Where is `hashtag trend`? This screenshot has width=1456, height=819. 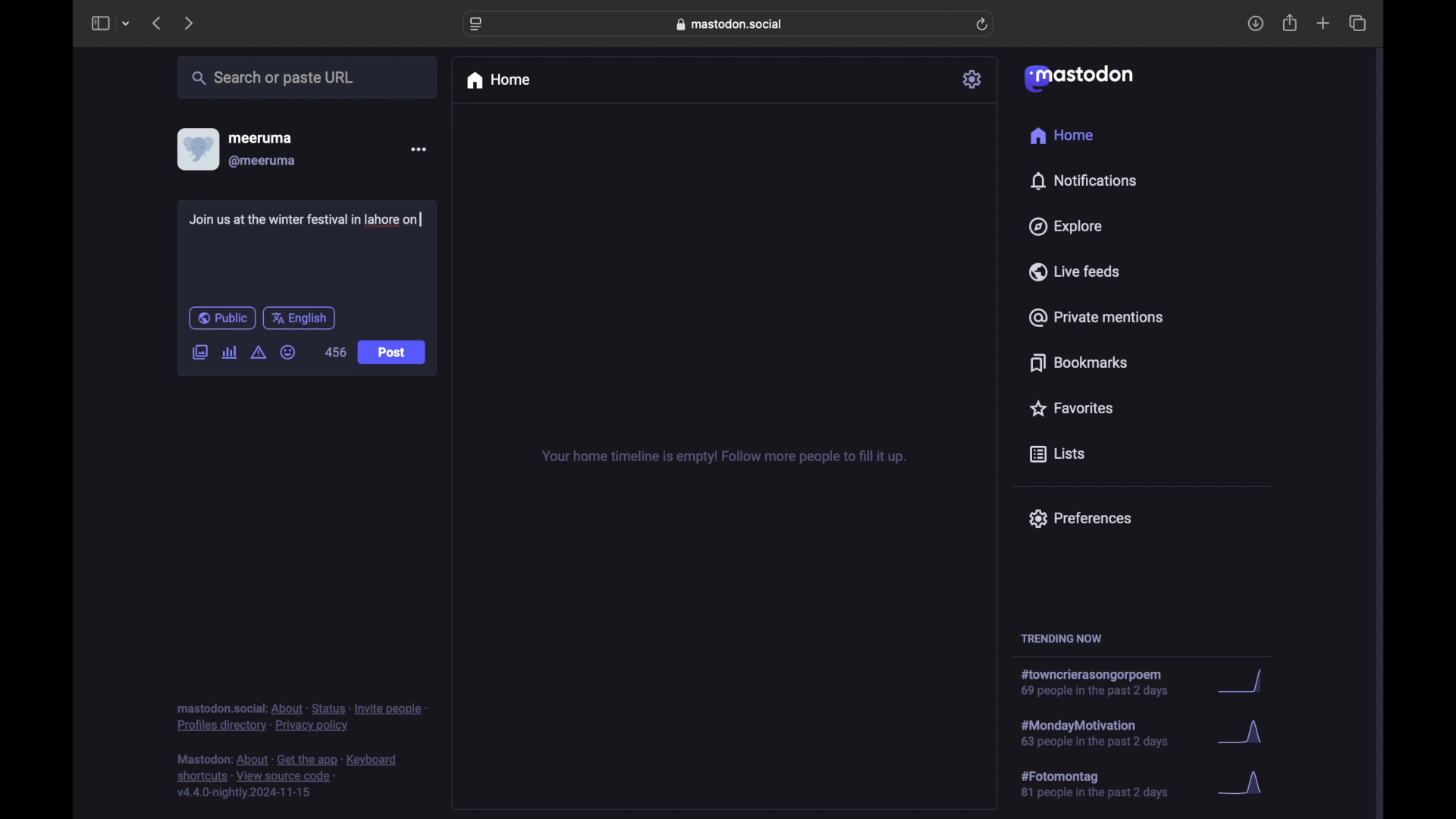 hashtag trend is located at coordinates (1105, 732).